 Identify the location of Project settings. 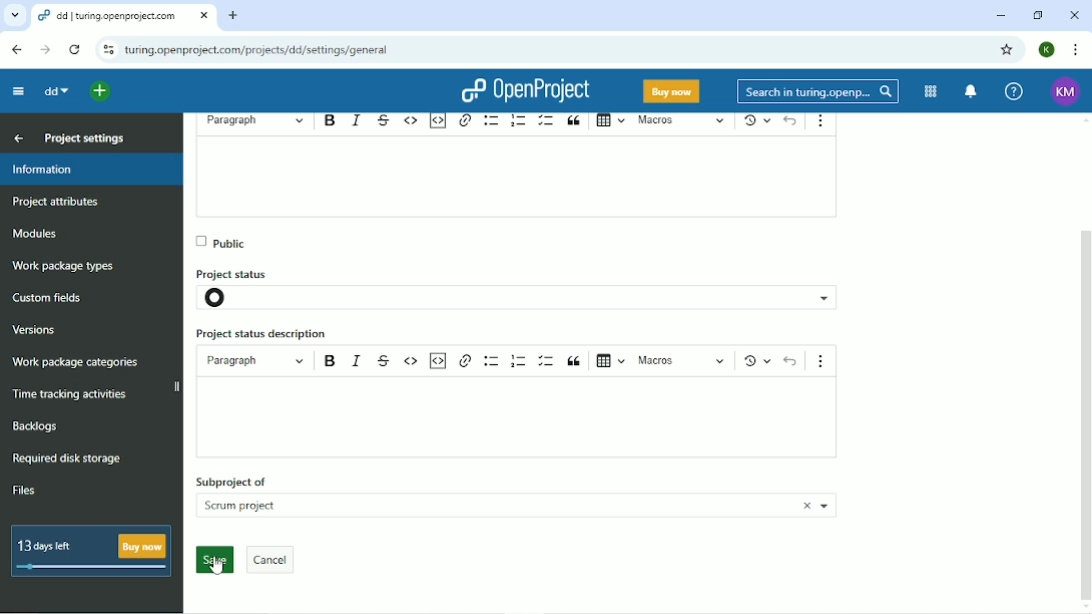
(83, 137).